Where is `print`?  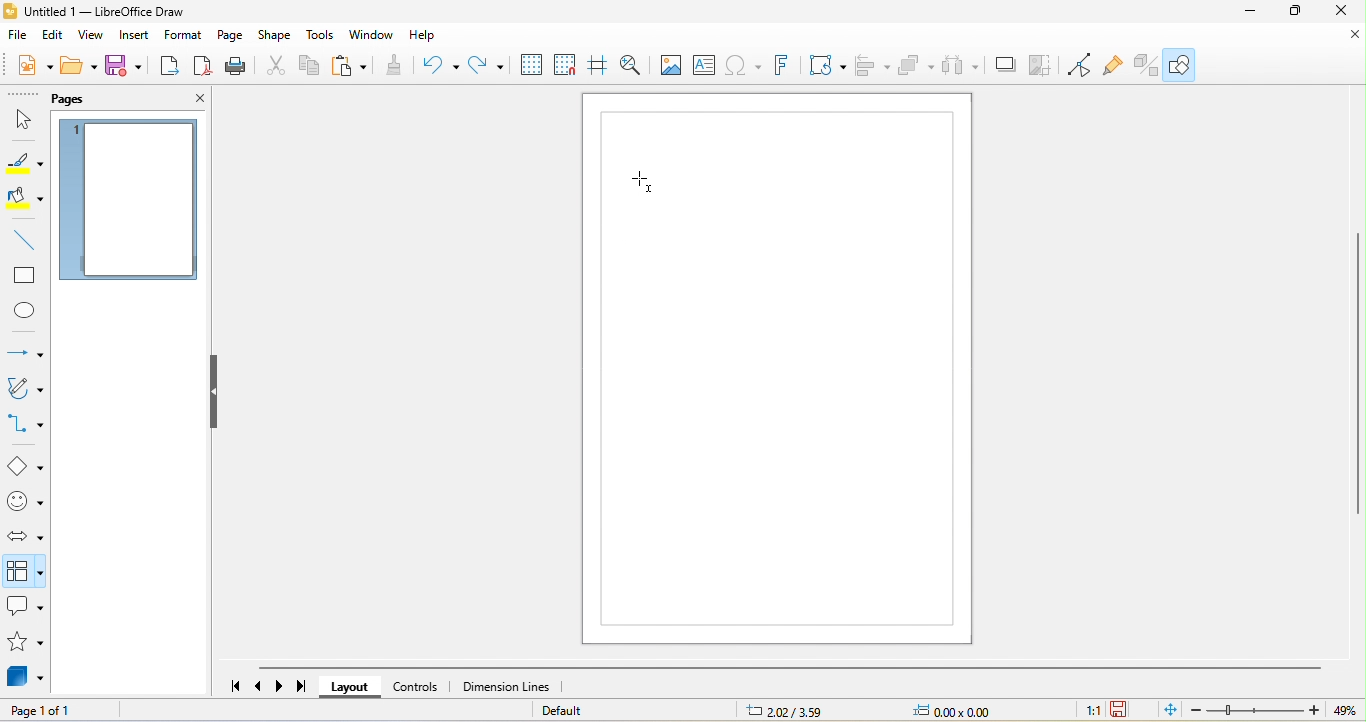 print is located at coordinates (240, 68).